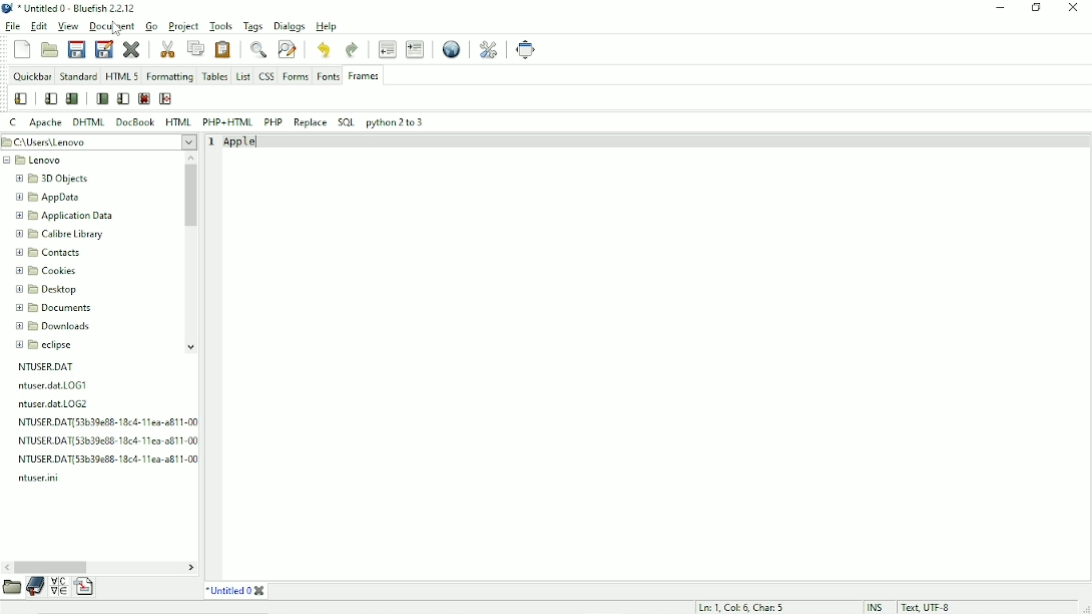  What do you see at coordinates (242, 77) in the screenshot?
I see `List` at bounding box center [242, 77].